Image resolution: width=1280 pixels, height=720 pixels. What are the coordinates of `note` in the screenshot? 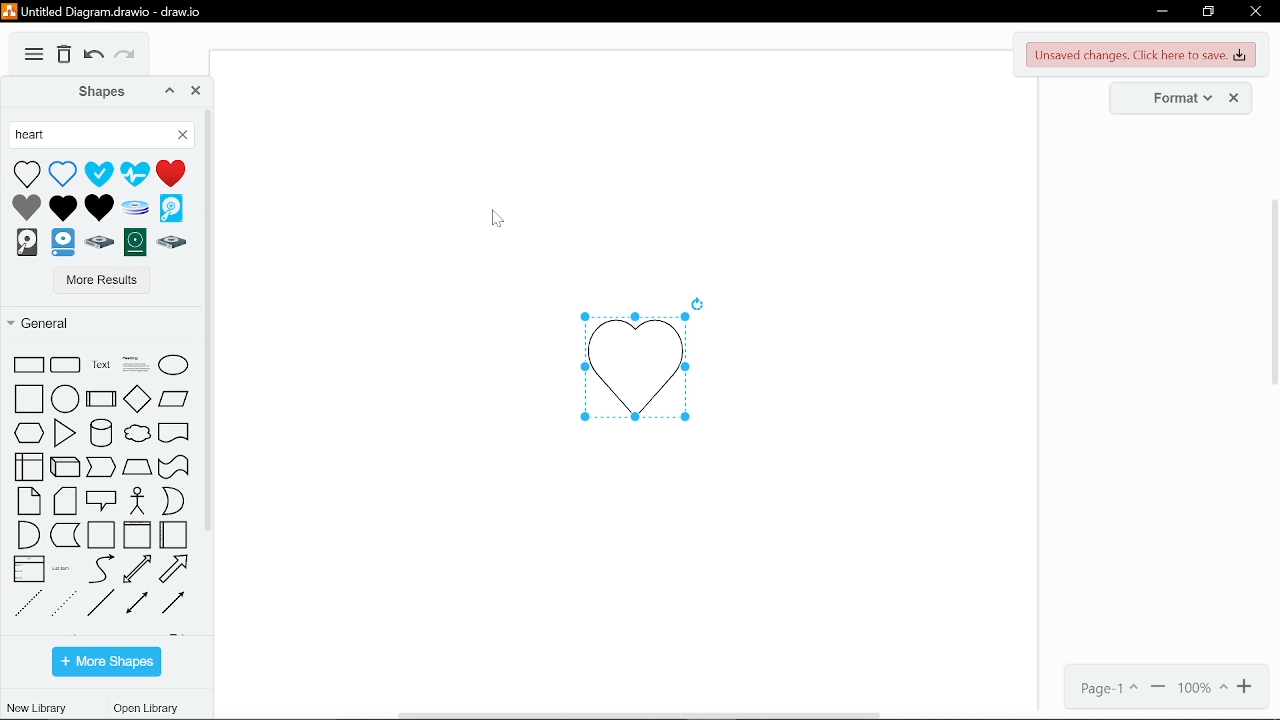 It's located at (30, 501).